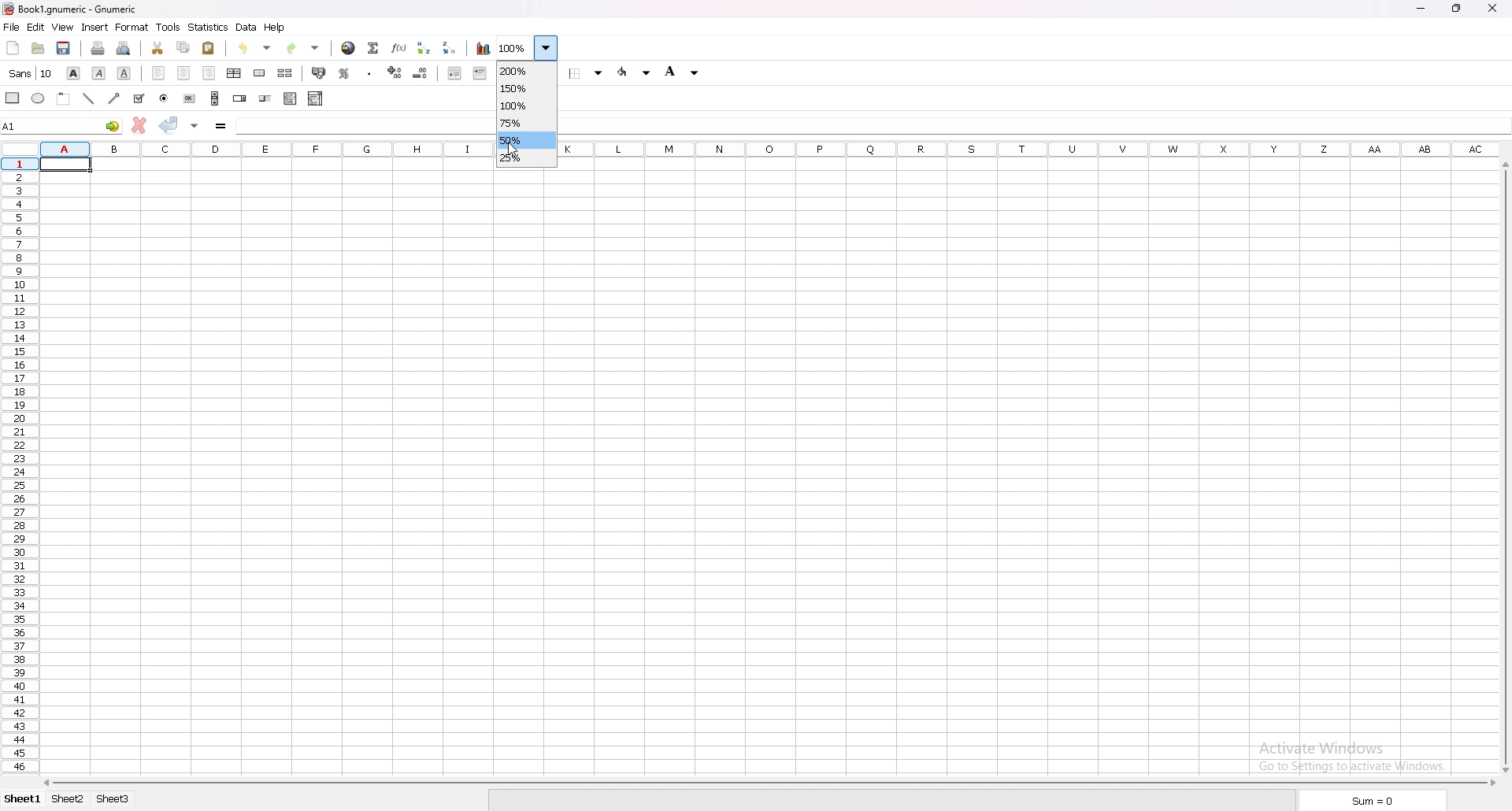 The image size is (1512, 811). What do you see at coordinates (625, 72) in the screenshot?
I see `foreground` at bounding box center [625, 72].